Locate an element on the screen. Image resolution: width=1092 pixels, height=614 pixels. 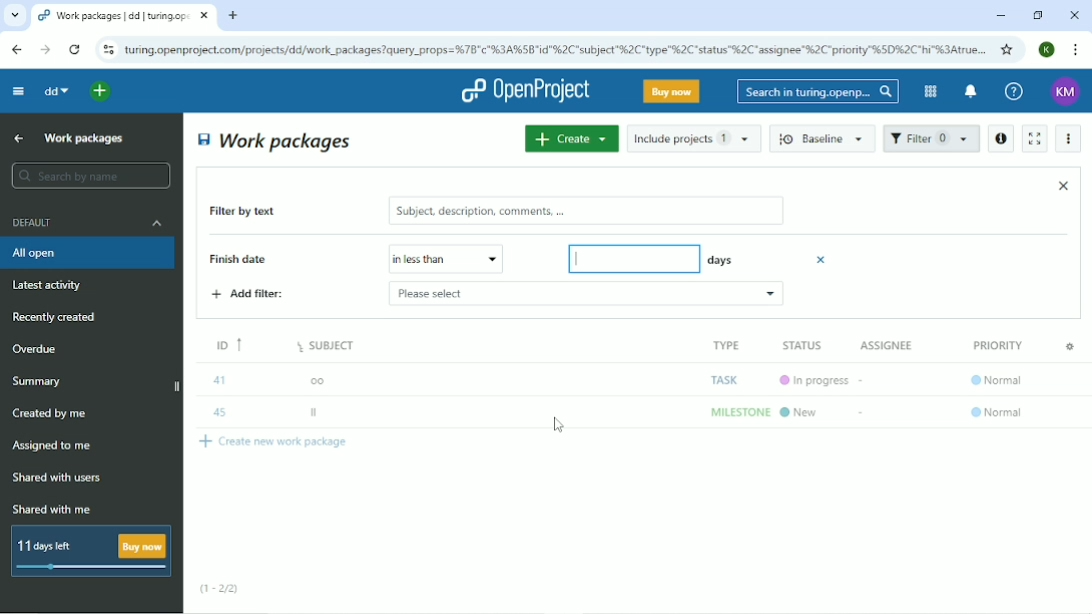
41 is located at coordinates (220, 379).